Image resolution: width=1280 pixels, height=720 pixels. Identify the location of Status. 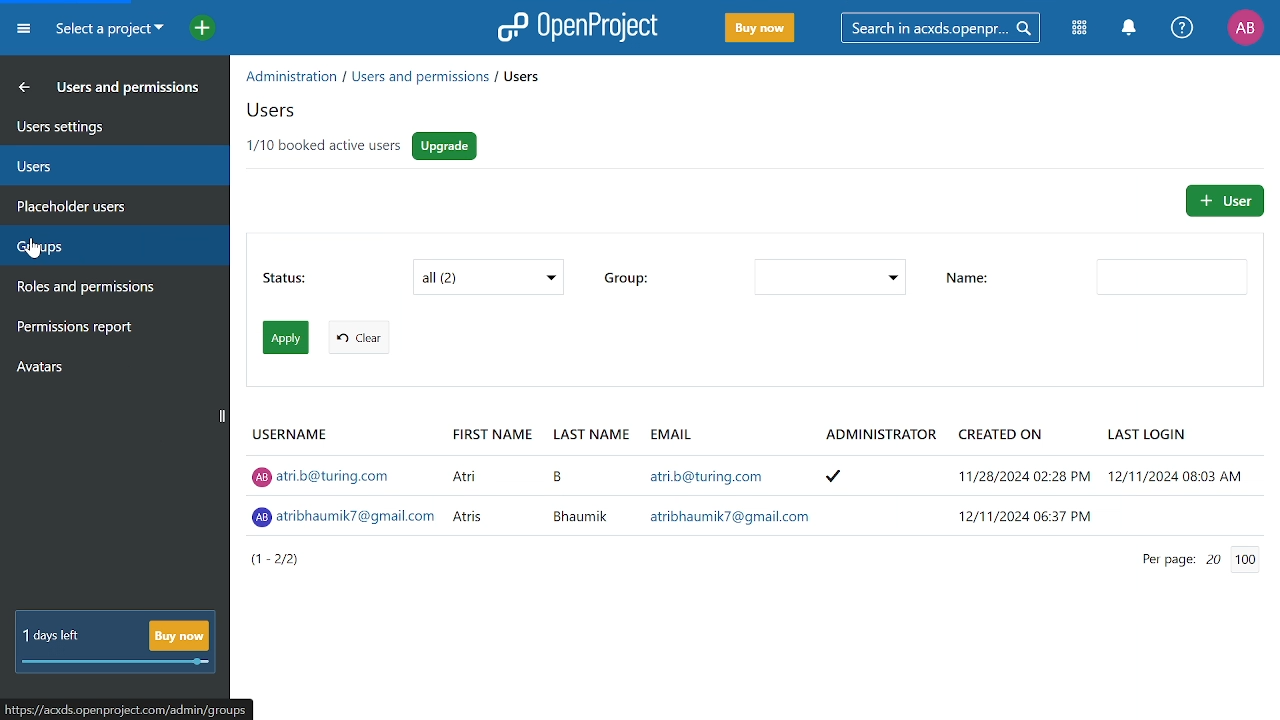
(488, 277).